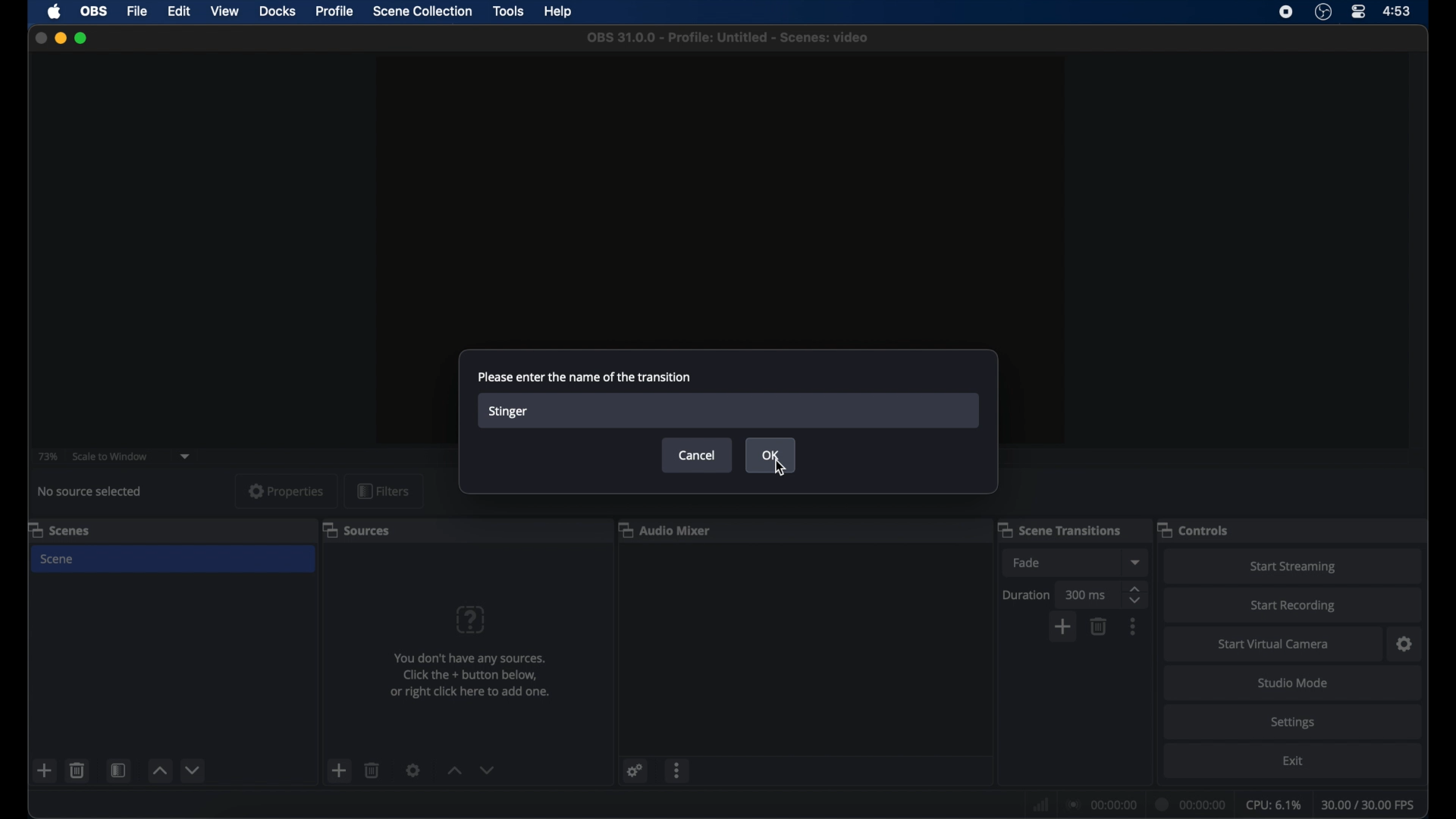 The image size is (1456, 819). Describe the element at coordinates (679, 771) in the screenshot. I see `more options` at that location.